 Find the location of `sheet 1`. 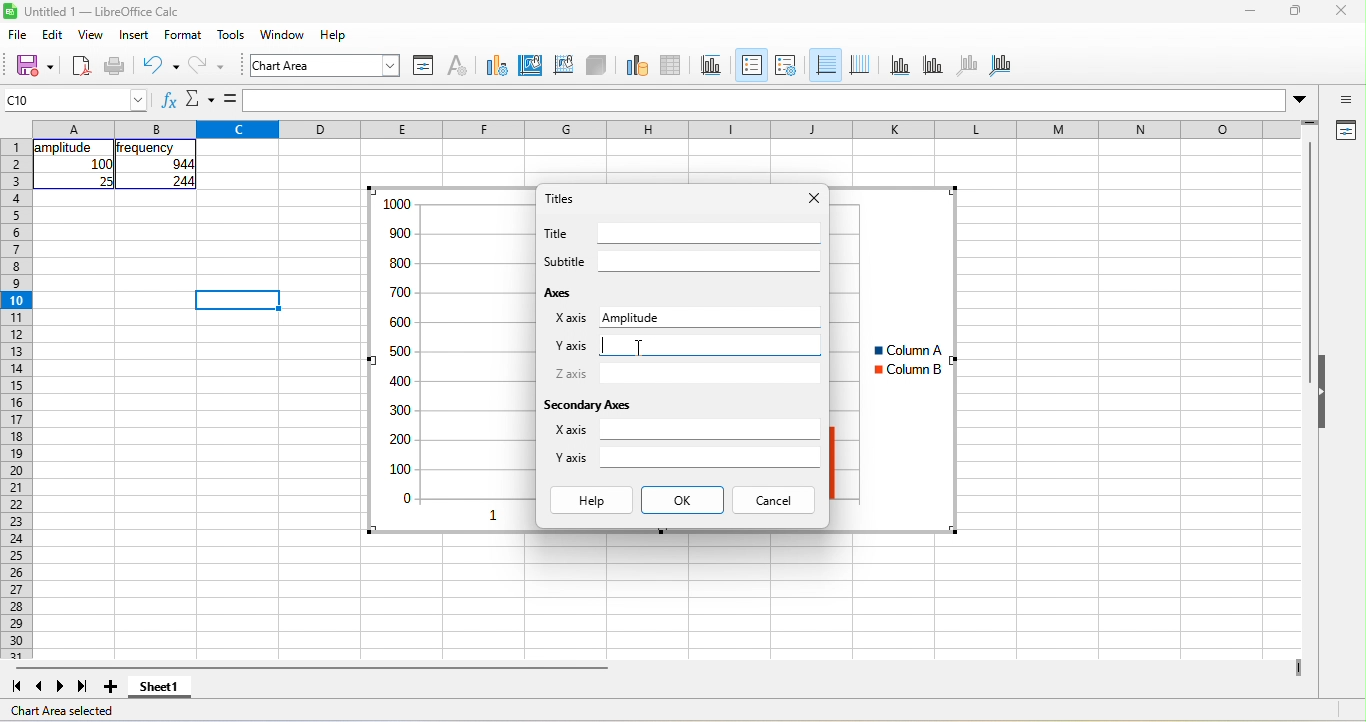

sheet 1 is located at coordinates (160, 687).